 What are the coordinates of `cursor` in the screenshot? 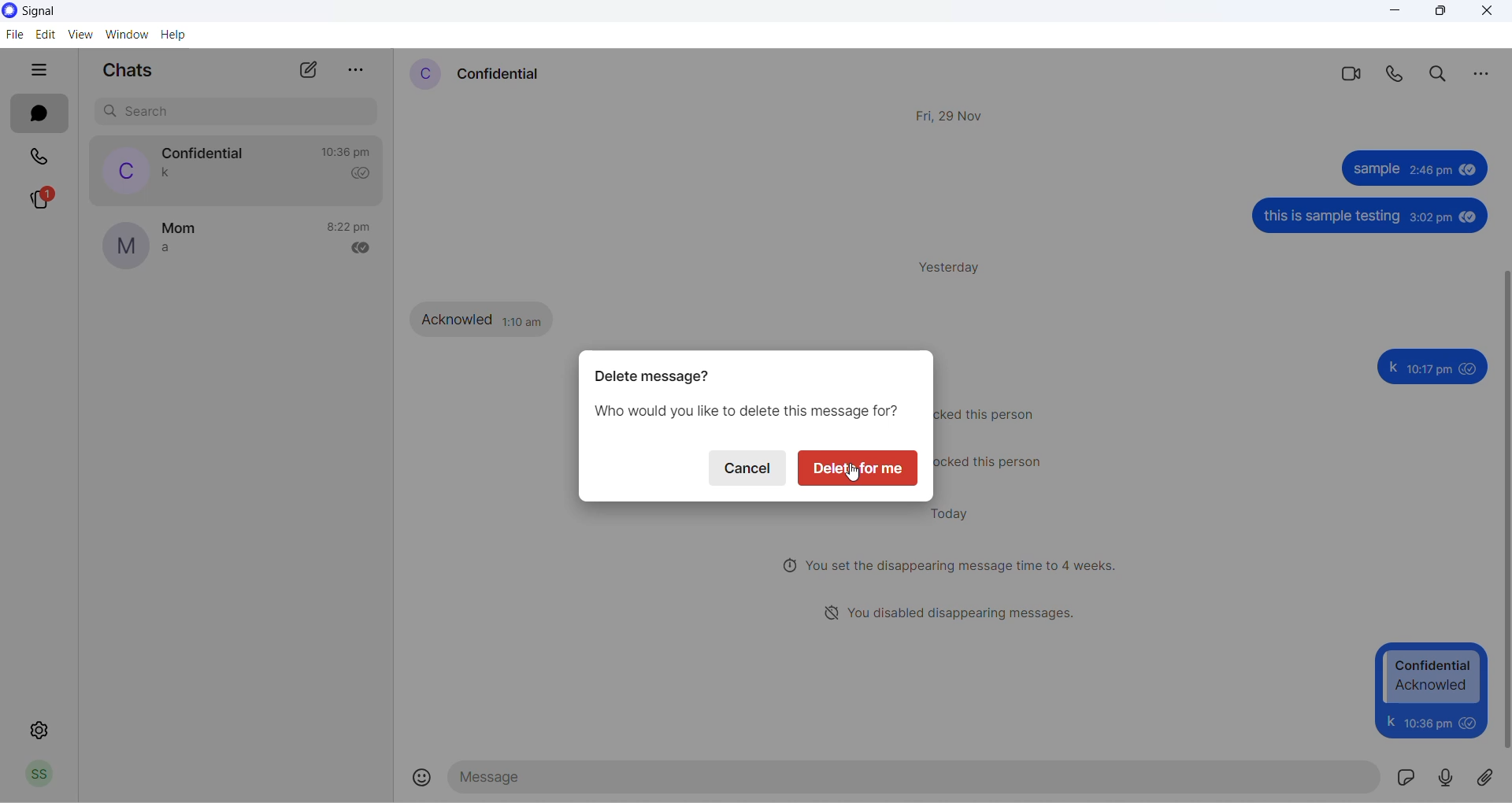 It's located at (857, 479).